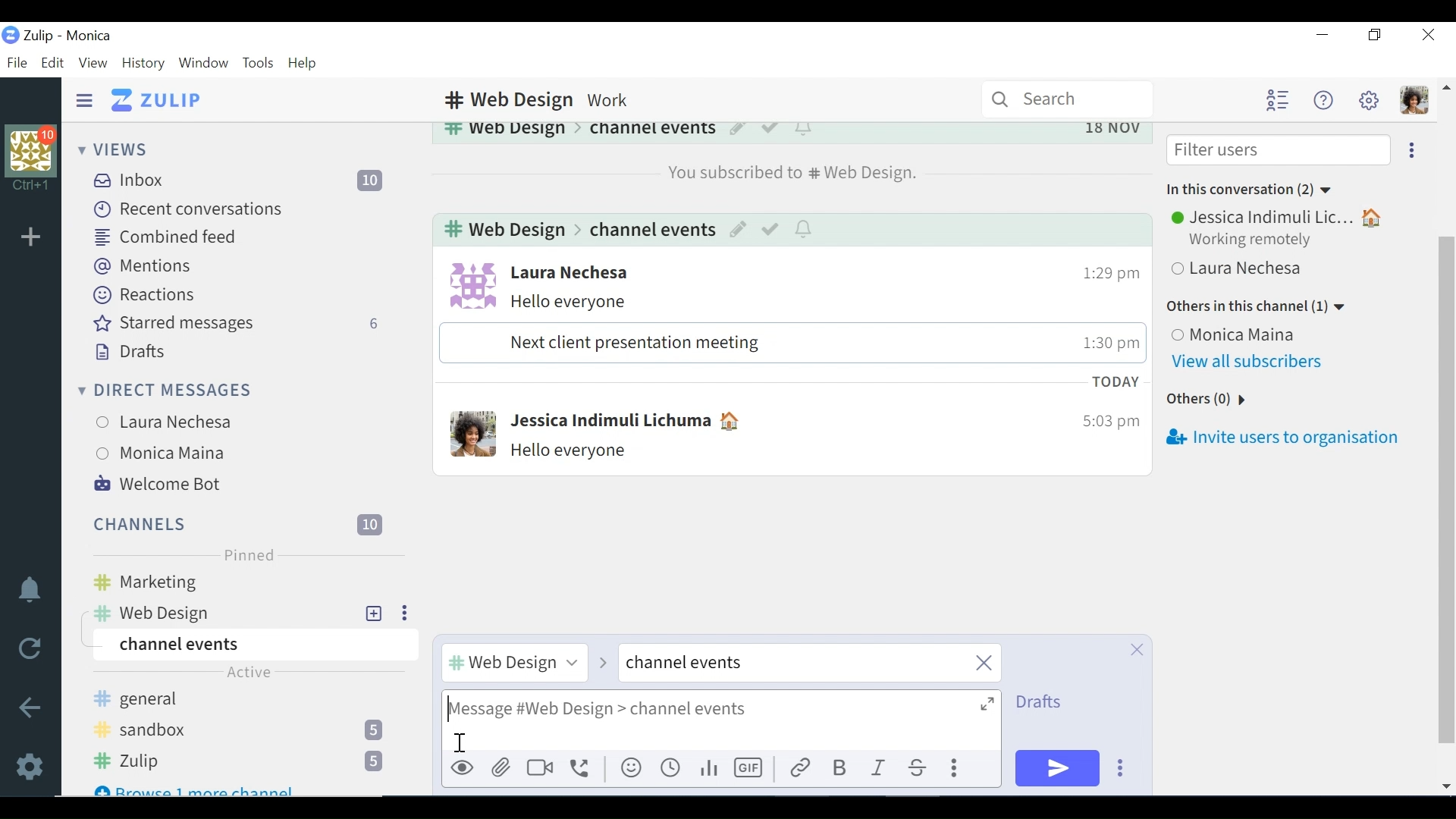  Describe the element at coordinates (33, 149) in the screenshot. I see `Organisation profile` at that location.